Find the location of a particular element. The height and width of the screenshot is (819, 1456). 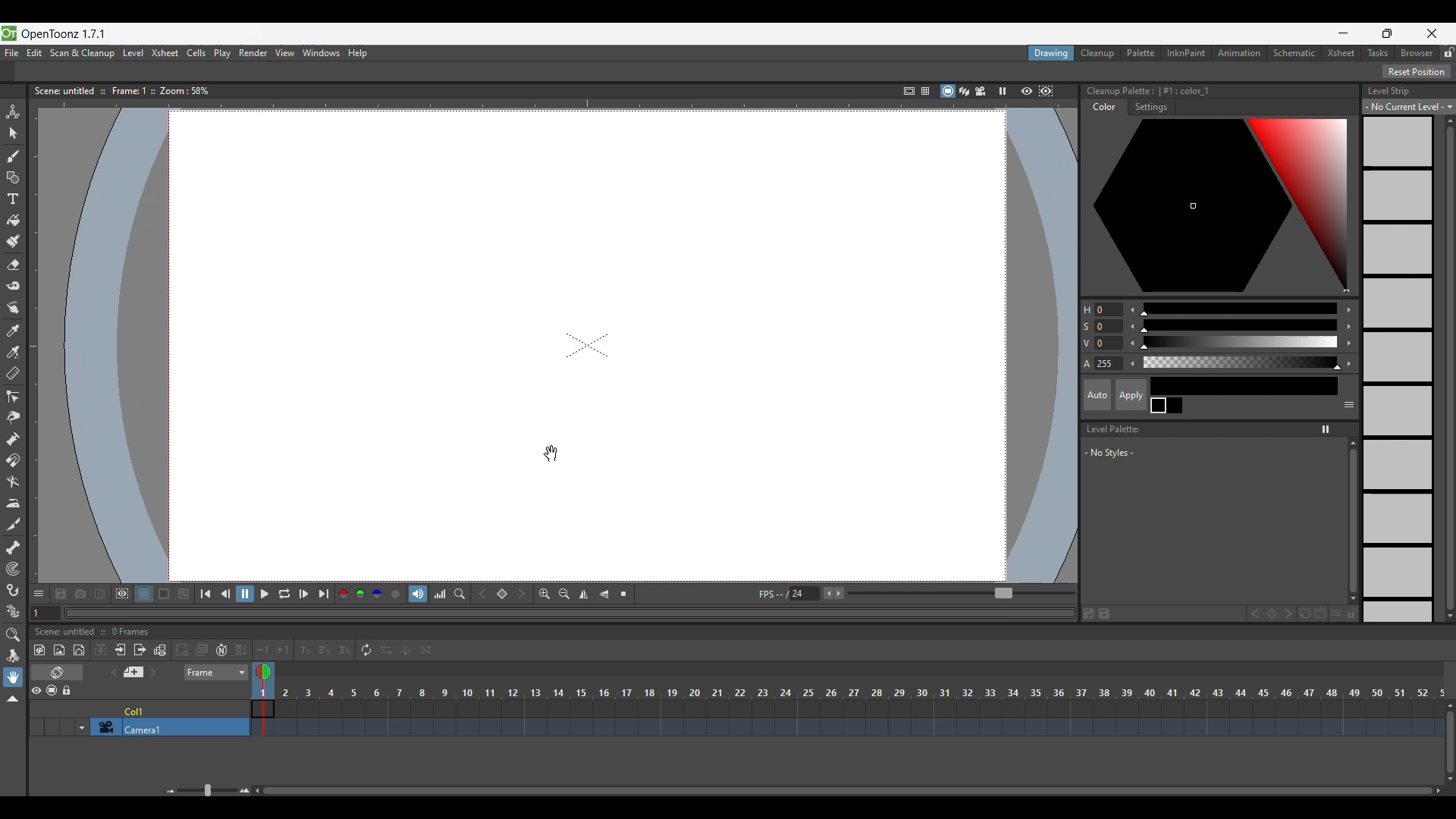

Lock palette inputs is located at coordinates (1352, 613).